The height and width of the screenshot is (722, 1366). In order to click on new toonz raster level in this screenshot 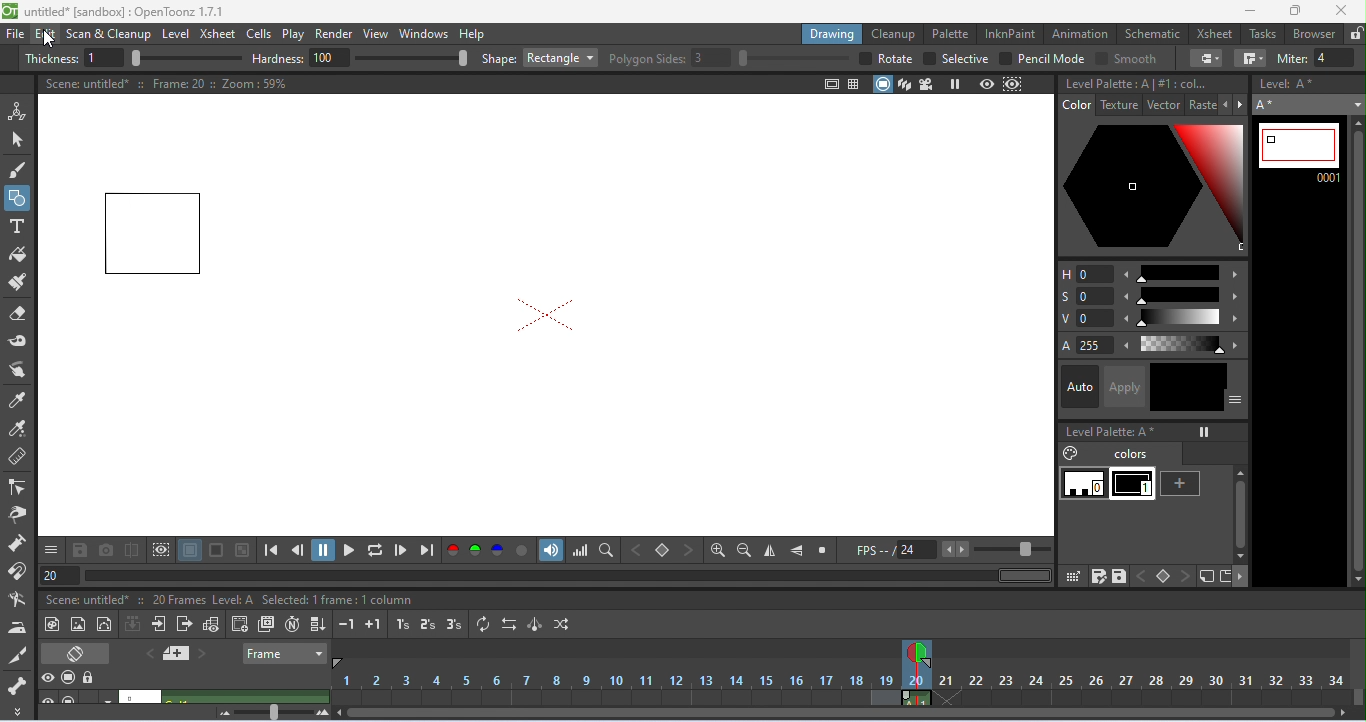, I will do `click(52, 623)`.